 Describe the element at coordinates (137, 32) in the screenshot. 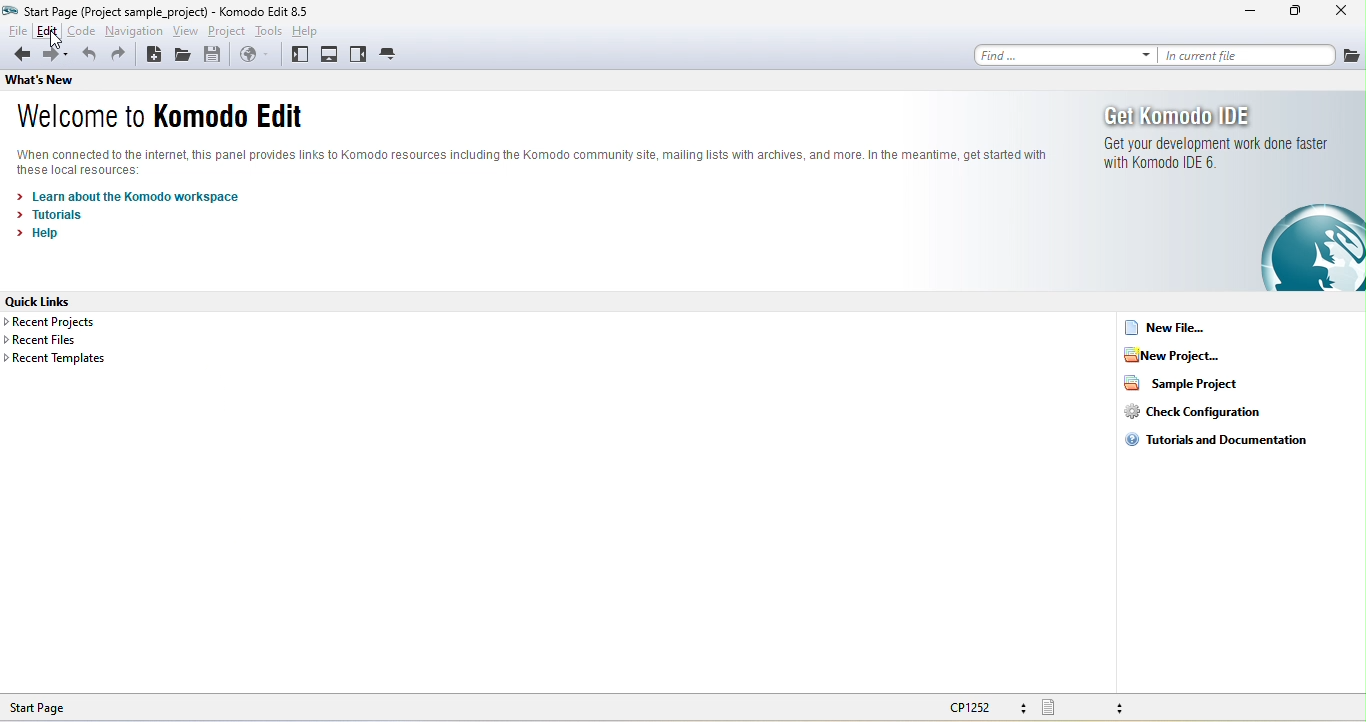

I see `navigation` at that location.